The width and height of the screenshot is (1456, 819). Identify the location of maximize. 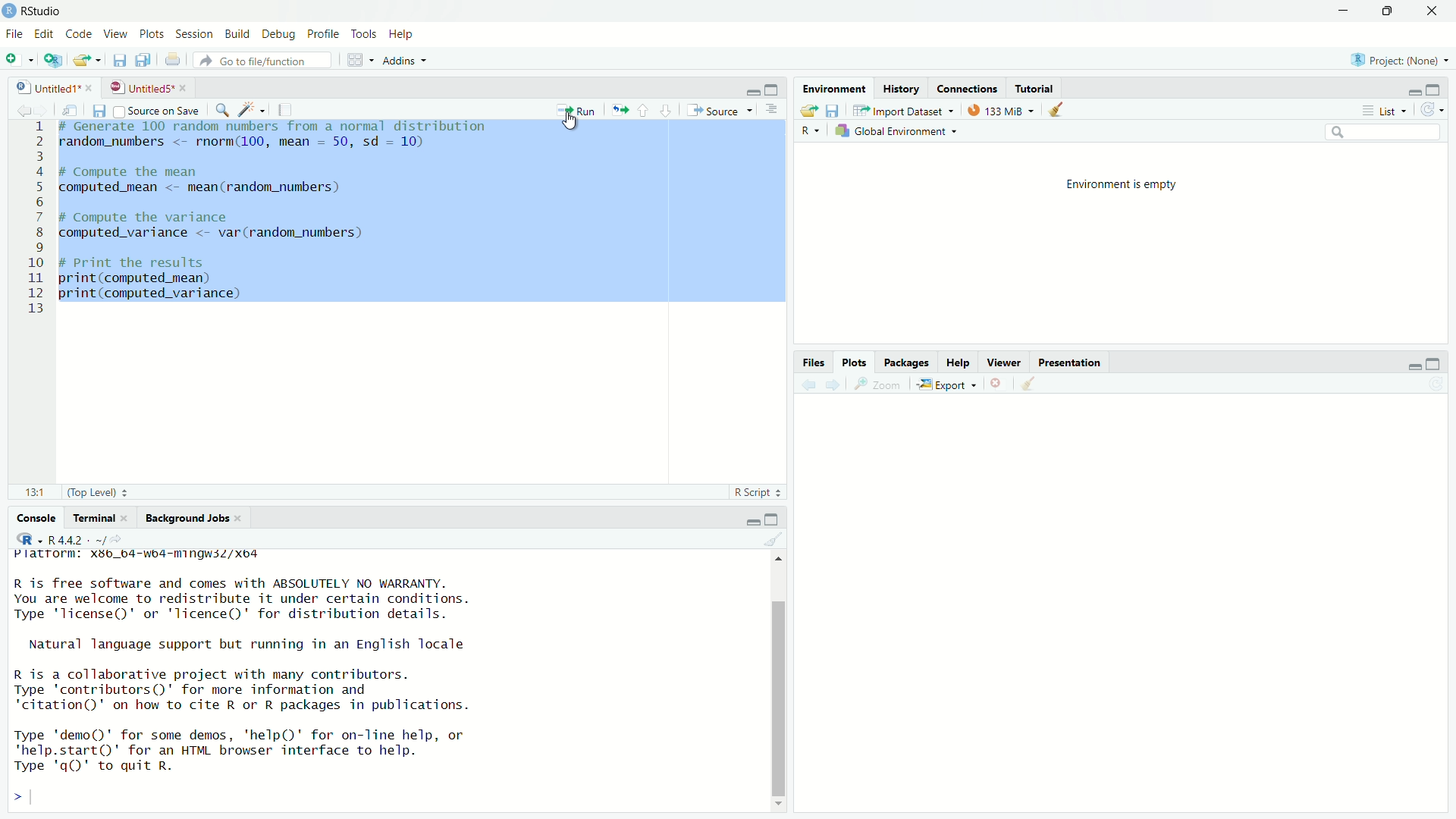
(773, 86).